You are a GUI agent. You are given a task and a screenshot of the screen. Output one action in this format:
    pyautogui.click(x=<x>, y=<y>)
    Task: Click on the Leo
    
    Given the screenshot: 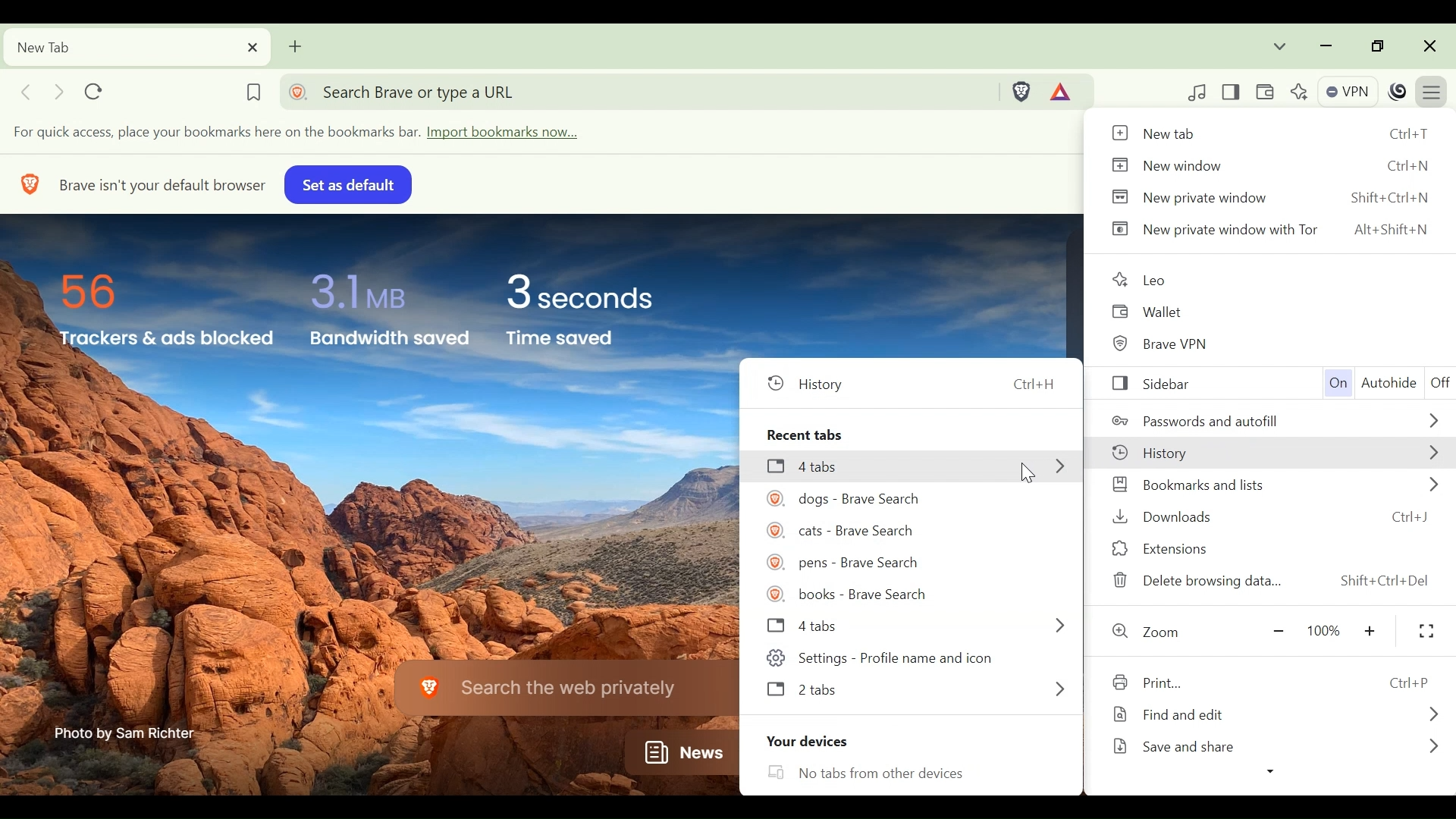 What is the action you would take?
    pyautogui.click(x=1144, y=277)
    